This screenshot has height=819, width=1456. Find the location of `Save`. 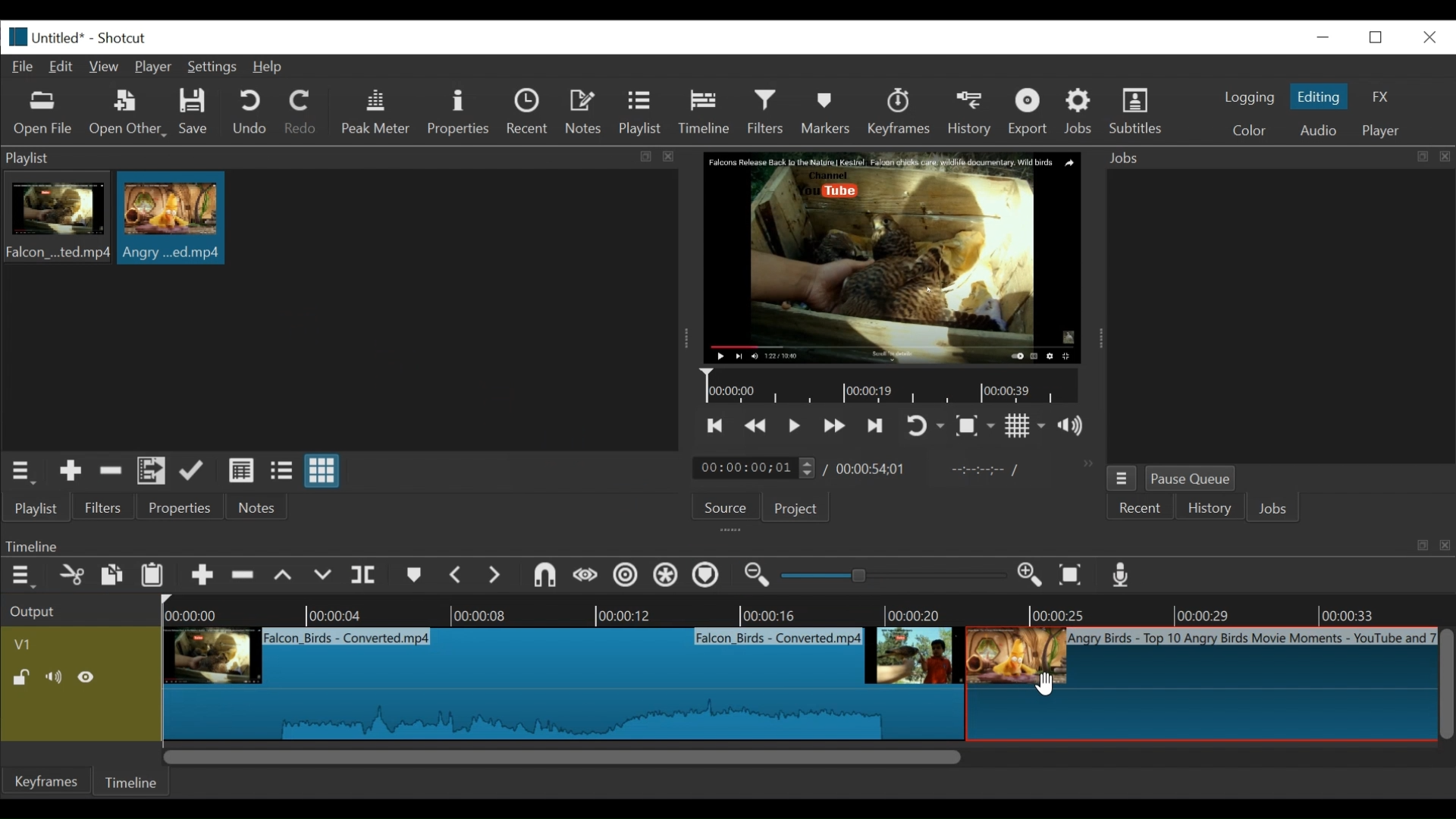

Save is located at coordinates (194, 114).